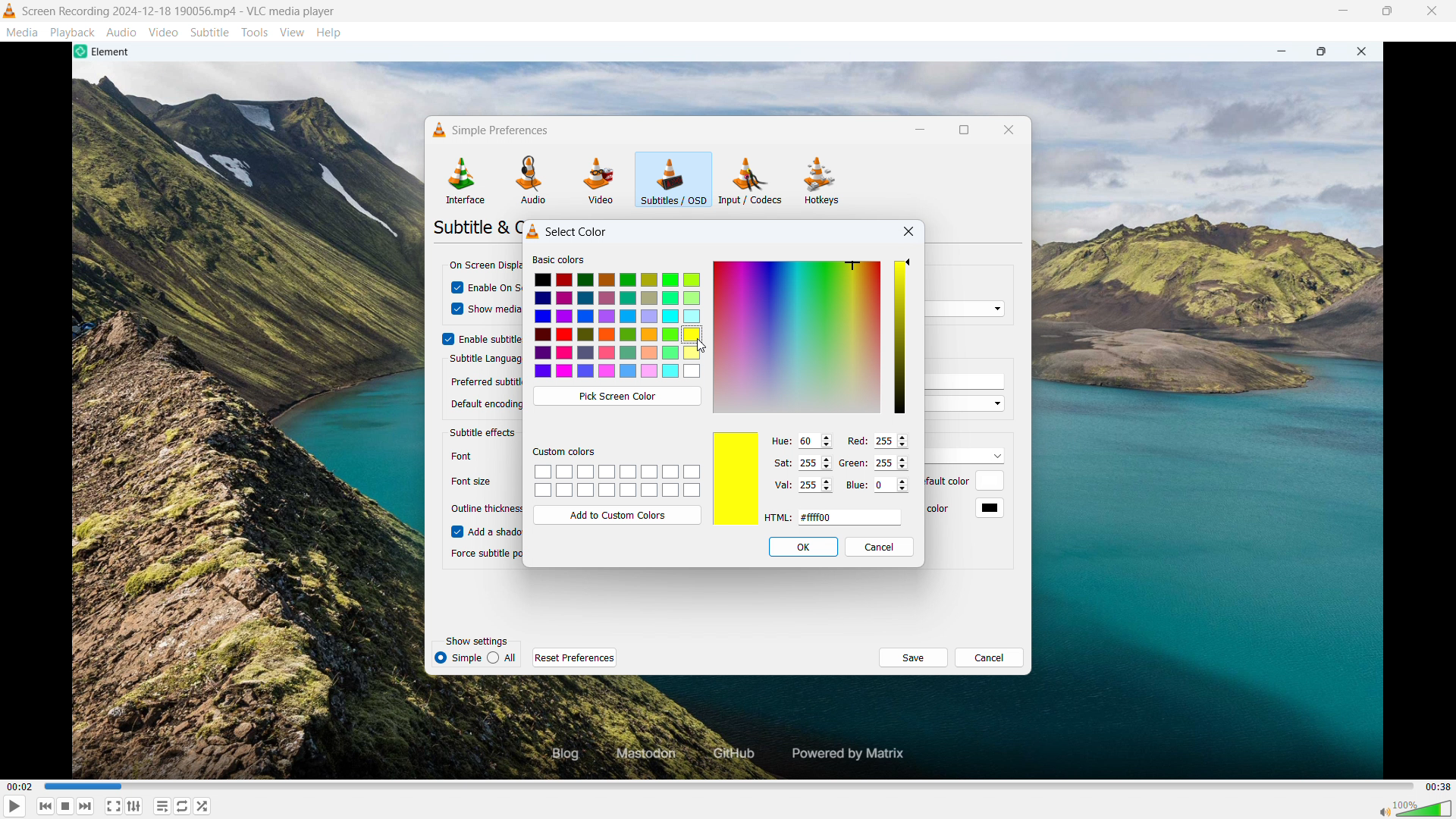 This screenshot has height=819, width=1456. What do you see at coordinates (10, 11) in the screenshot?
I see `Logo ` at bounding box center [10, 11].